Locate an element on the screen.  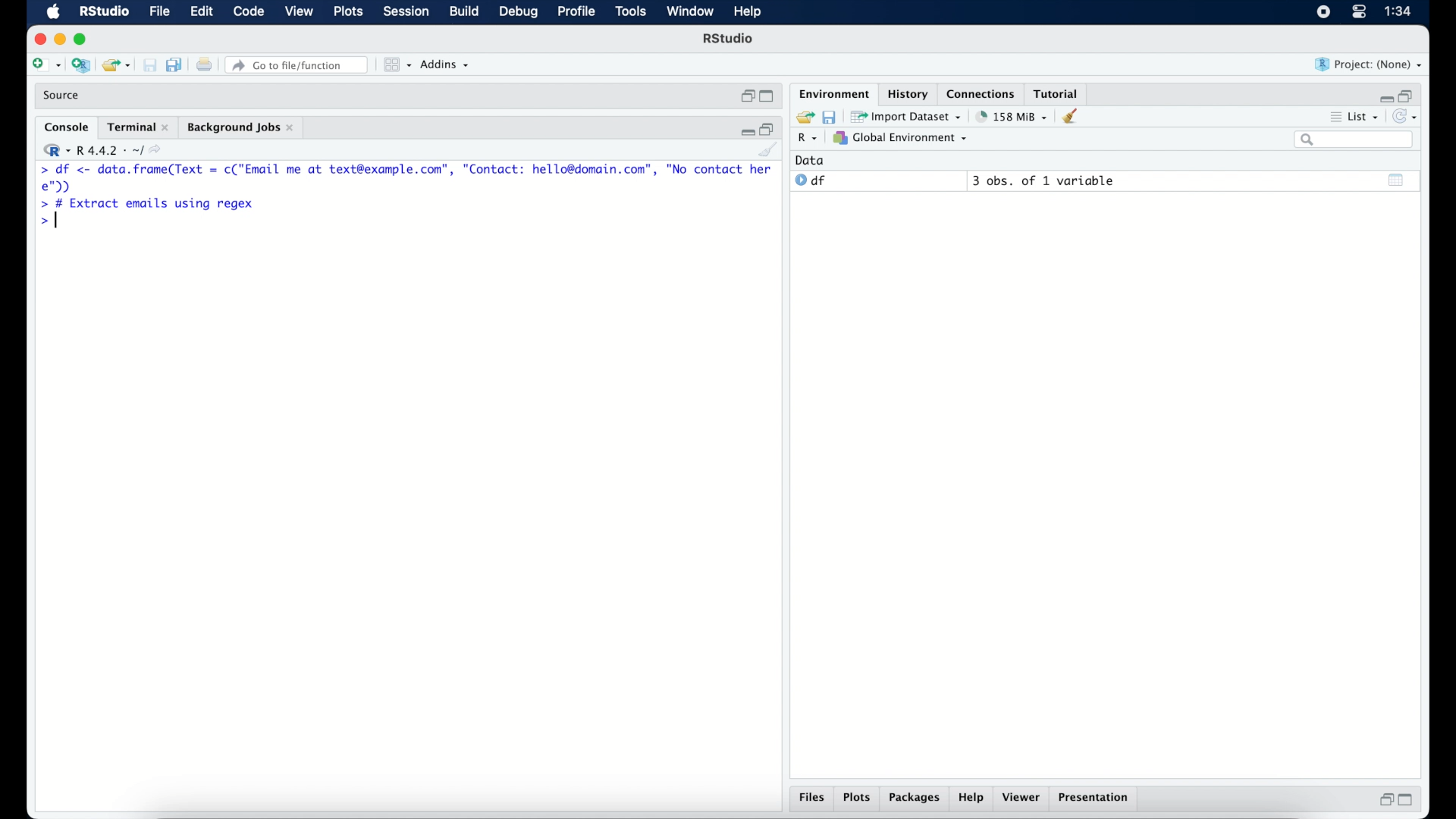
load workspace is located at coordinates (805, 115).